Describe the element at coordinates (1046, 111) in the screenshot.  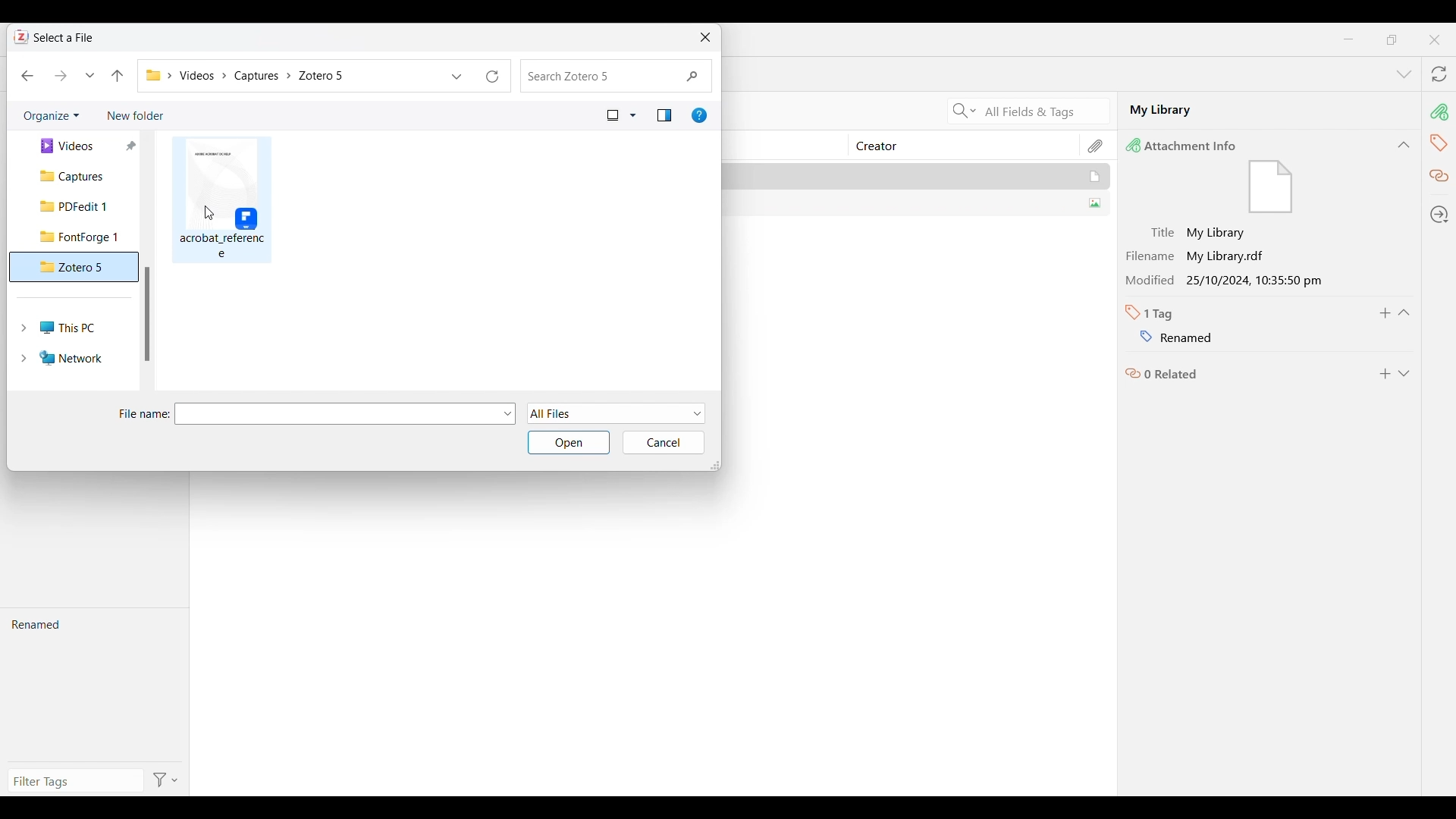
I see `All Fields & Tags` at that location.